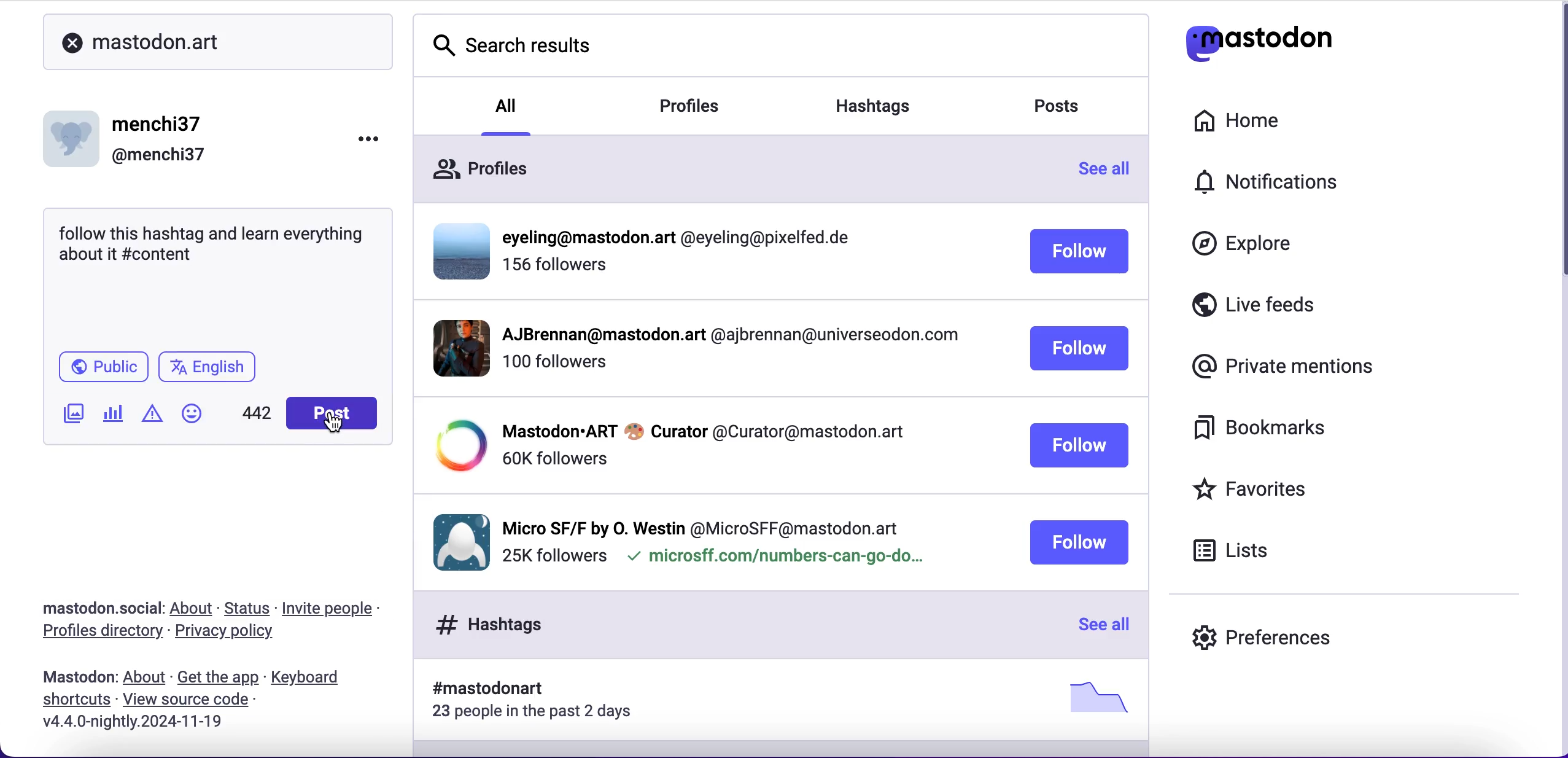  I want to click on profiles, so click(708, 107).